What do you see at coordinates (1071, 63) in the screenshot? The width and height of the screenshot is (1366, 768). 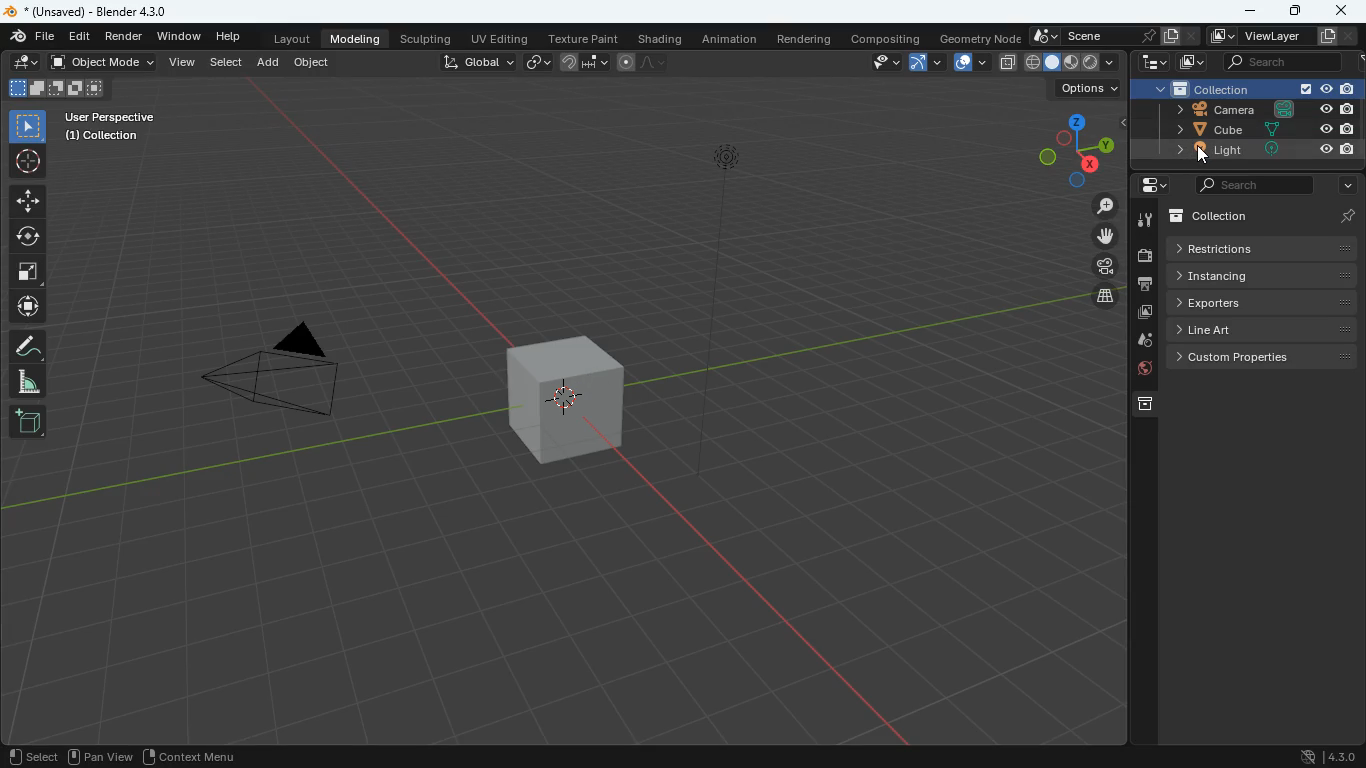 I see `filled` at bounding box center [1071, 63].